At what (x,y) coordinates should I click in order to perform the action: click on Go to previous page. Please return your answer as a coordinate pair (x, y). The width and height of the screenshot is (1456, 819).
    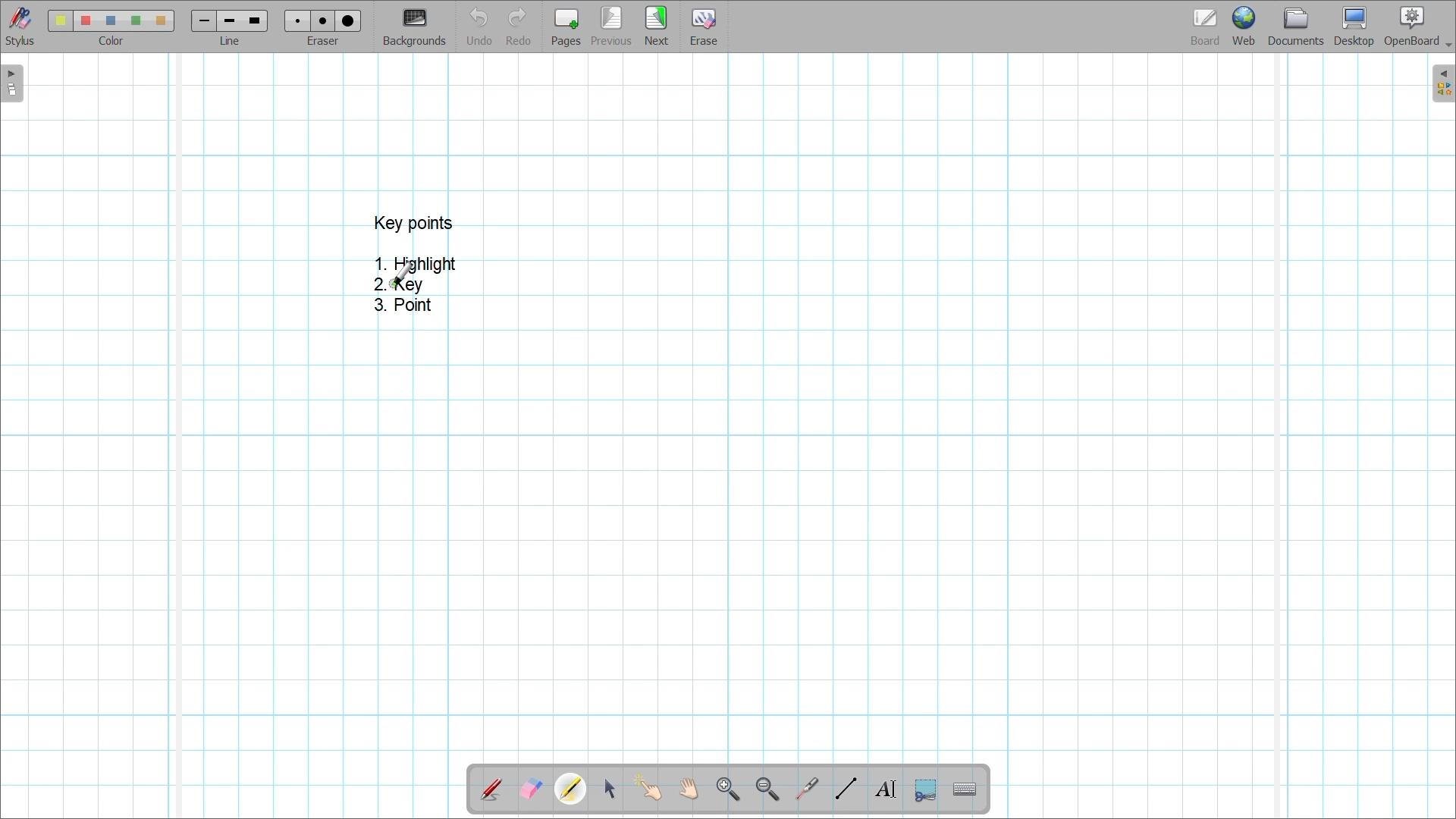
    Looking at the image, I should click on (613, 26).